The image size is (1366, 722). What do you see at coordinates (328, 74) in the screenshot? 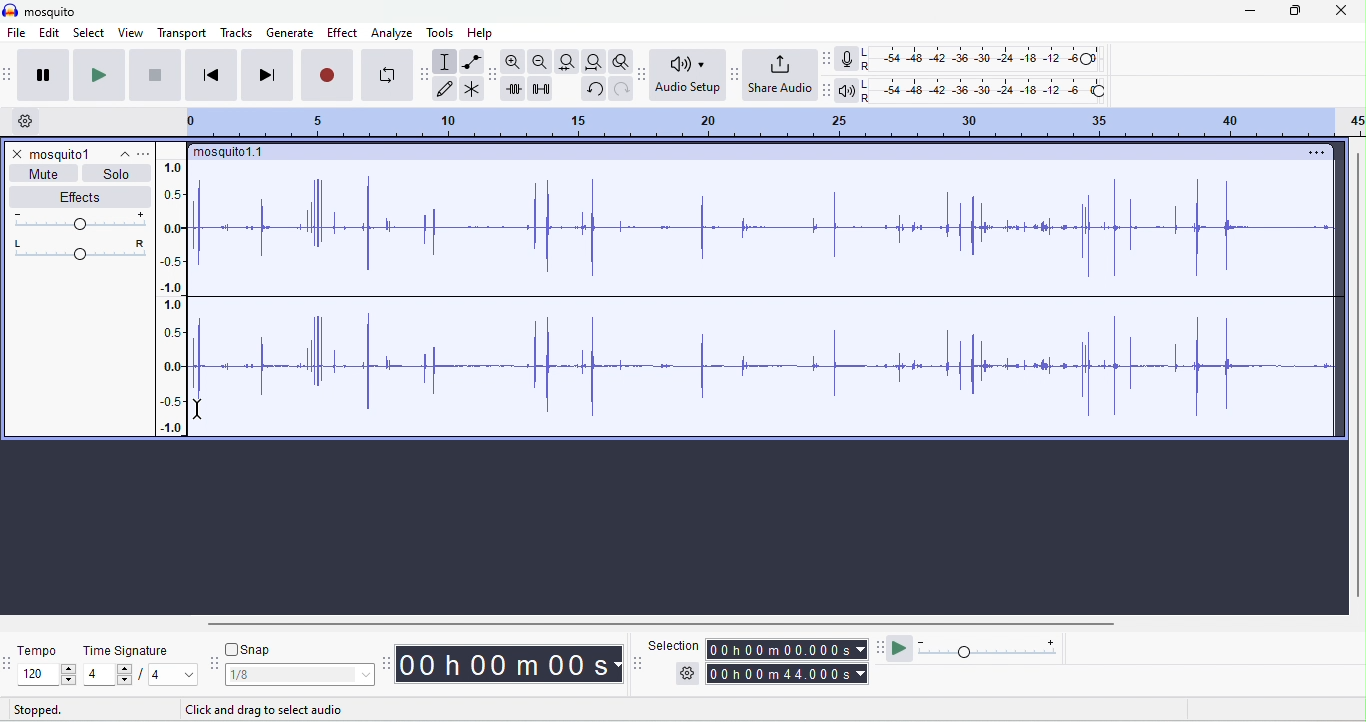
I see `record` at bounding box center [328, 74].